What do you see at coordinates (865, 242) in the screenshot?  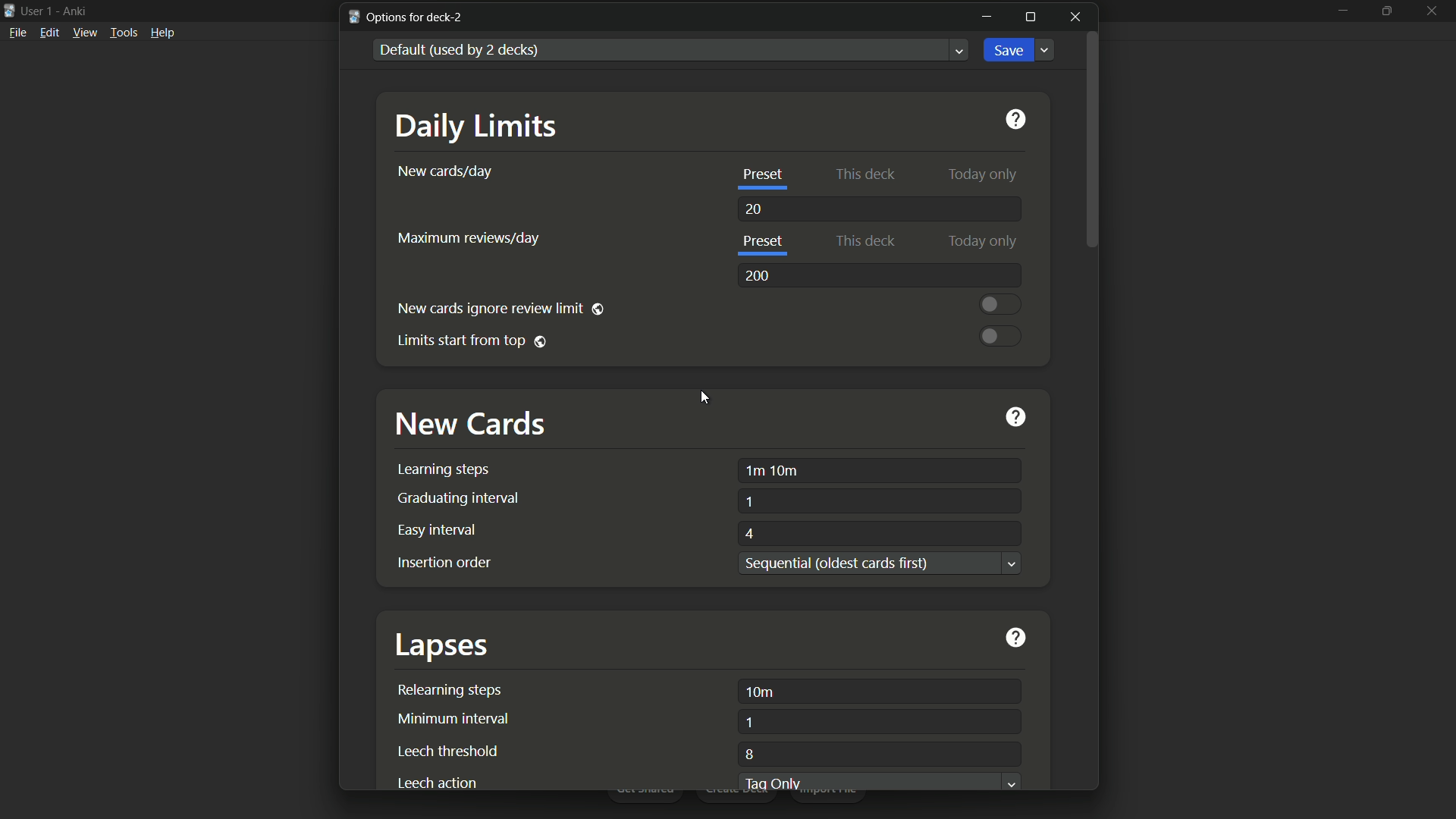 I see `this deck` at bounding box center [865, 242].